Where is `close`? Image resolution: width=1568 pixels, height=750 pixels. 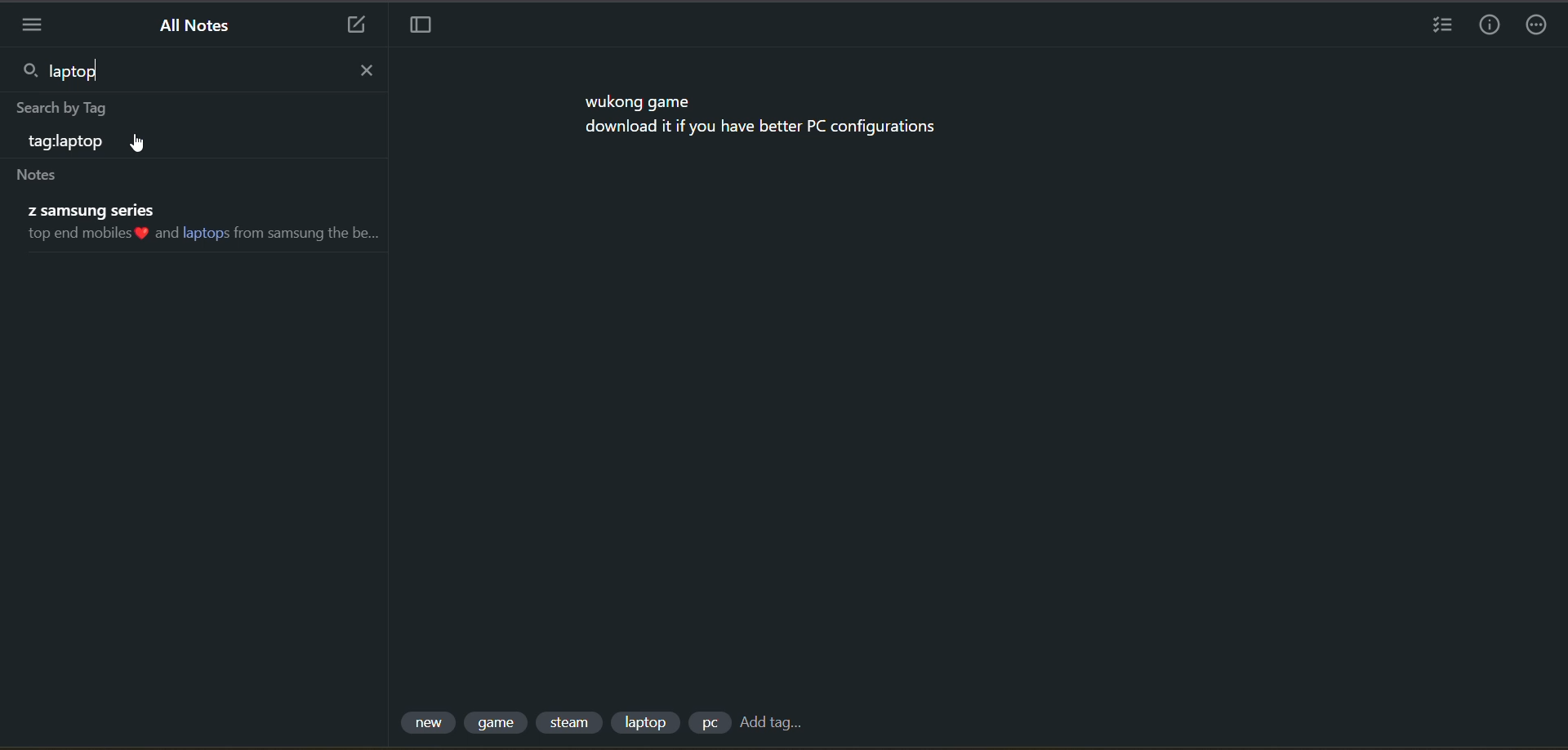
close is located at coordinates (366, 71).